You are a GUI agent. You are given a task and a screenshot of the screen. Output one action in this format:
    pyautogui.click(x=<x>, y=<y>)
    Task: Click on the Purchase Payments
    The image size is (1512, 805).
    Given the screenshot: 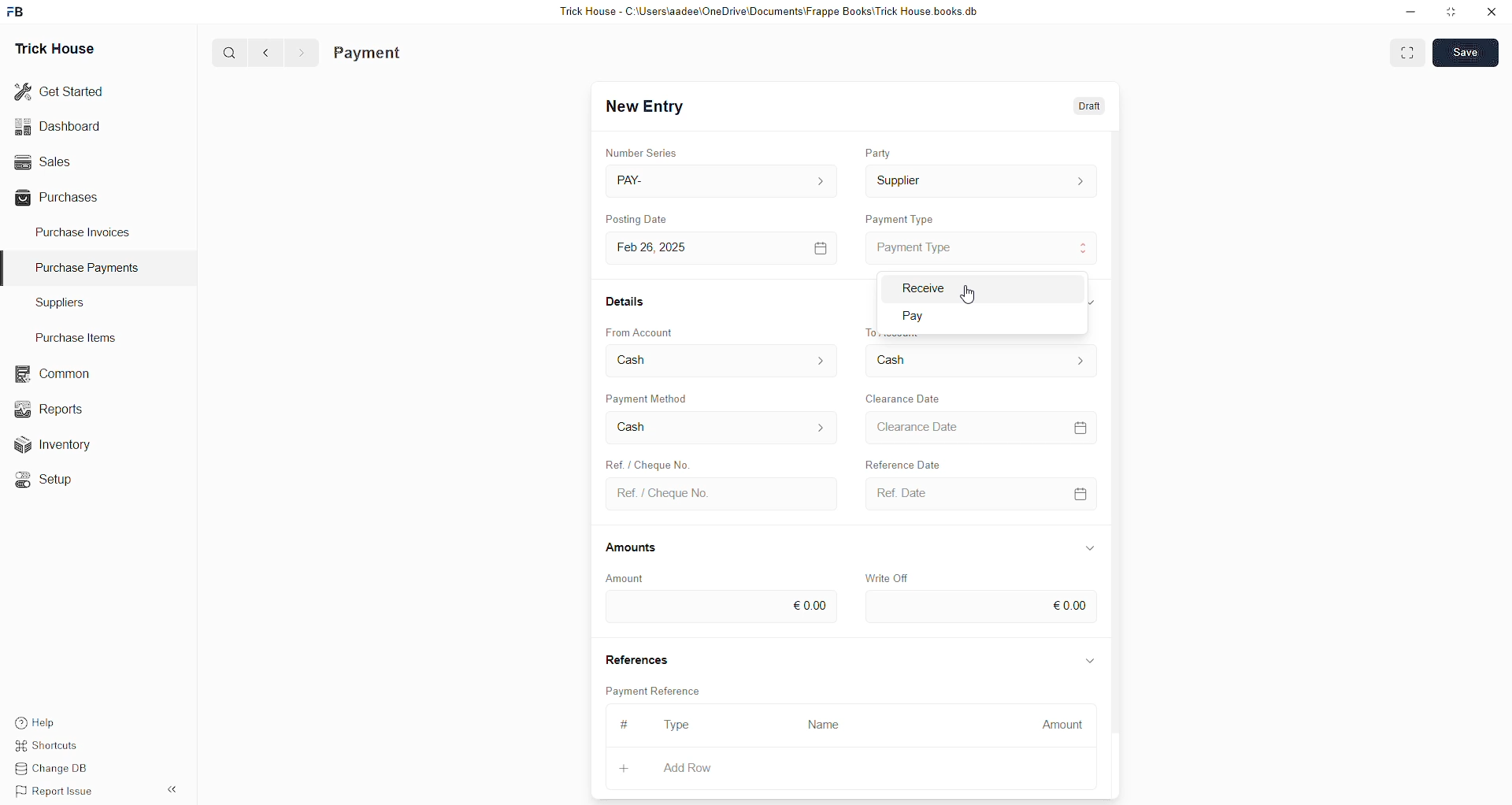 What is the action you would take?
    pyautogui.click(x=92, y=268)
    